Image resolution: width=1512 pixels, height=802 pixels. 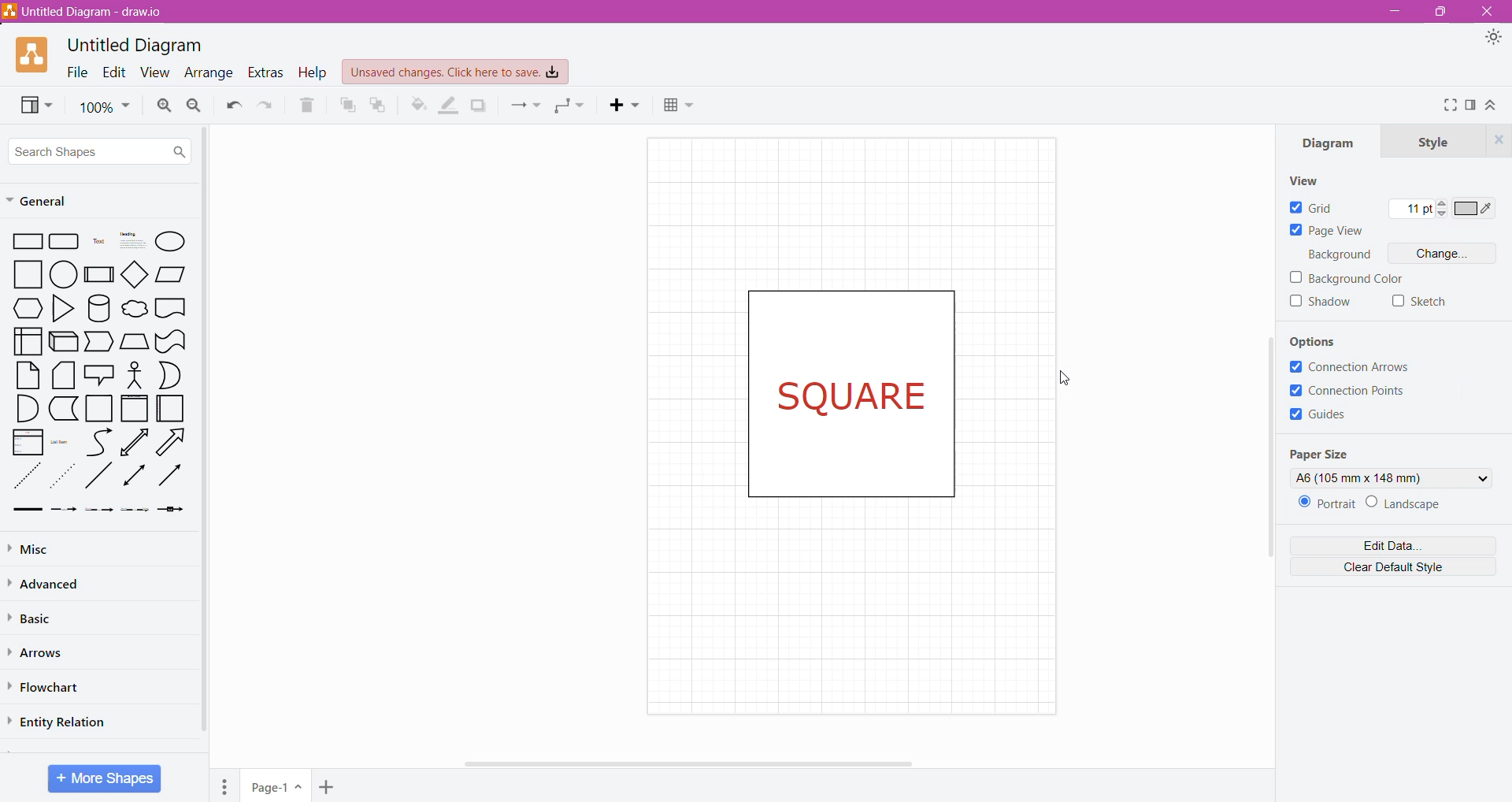 I want to click on Vertical Scroll Bar, so click(x=1265, y=474).